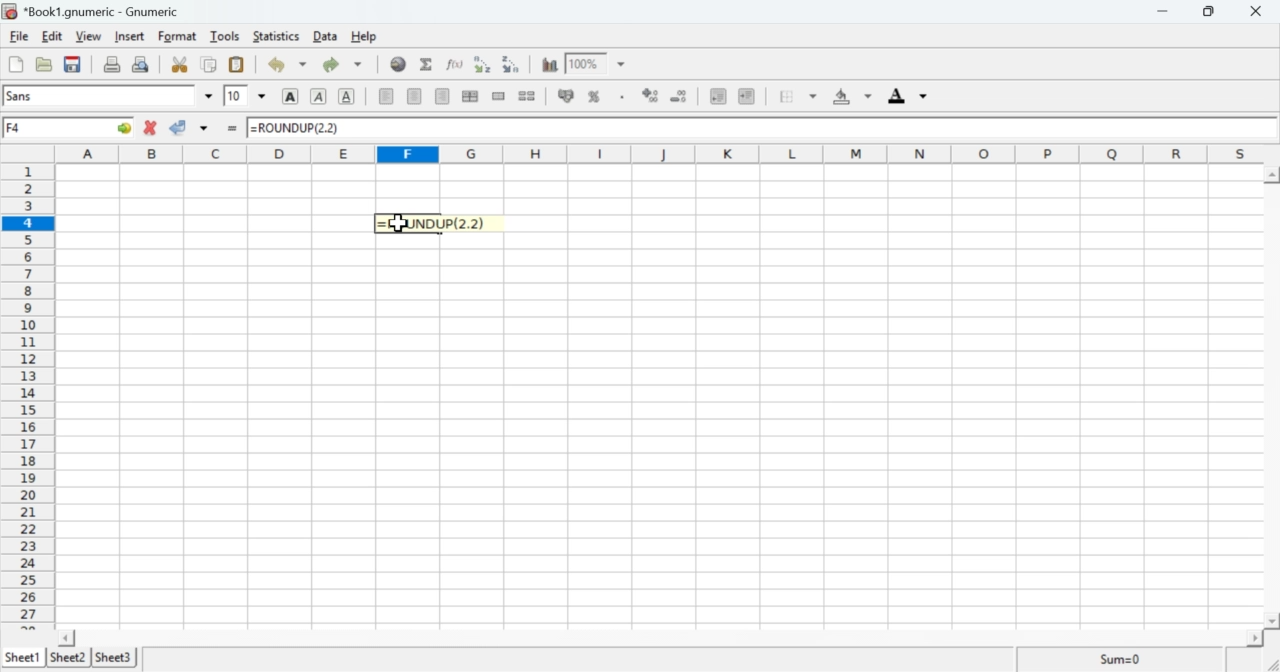 The width and height of the screenshot is (1280, 672). What do you see at coordinates (152, 127) in the screenshot?
I see `Cancel change` at bounding box center [152, 127].